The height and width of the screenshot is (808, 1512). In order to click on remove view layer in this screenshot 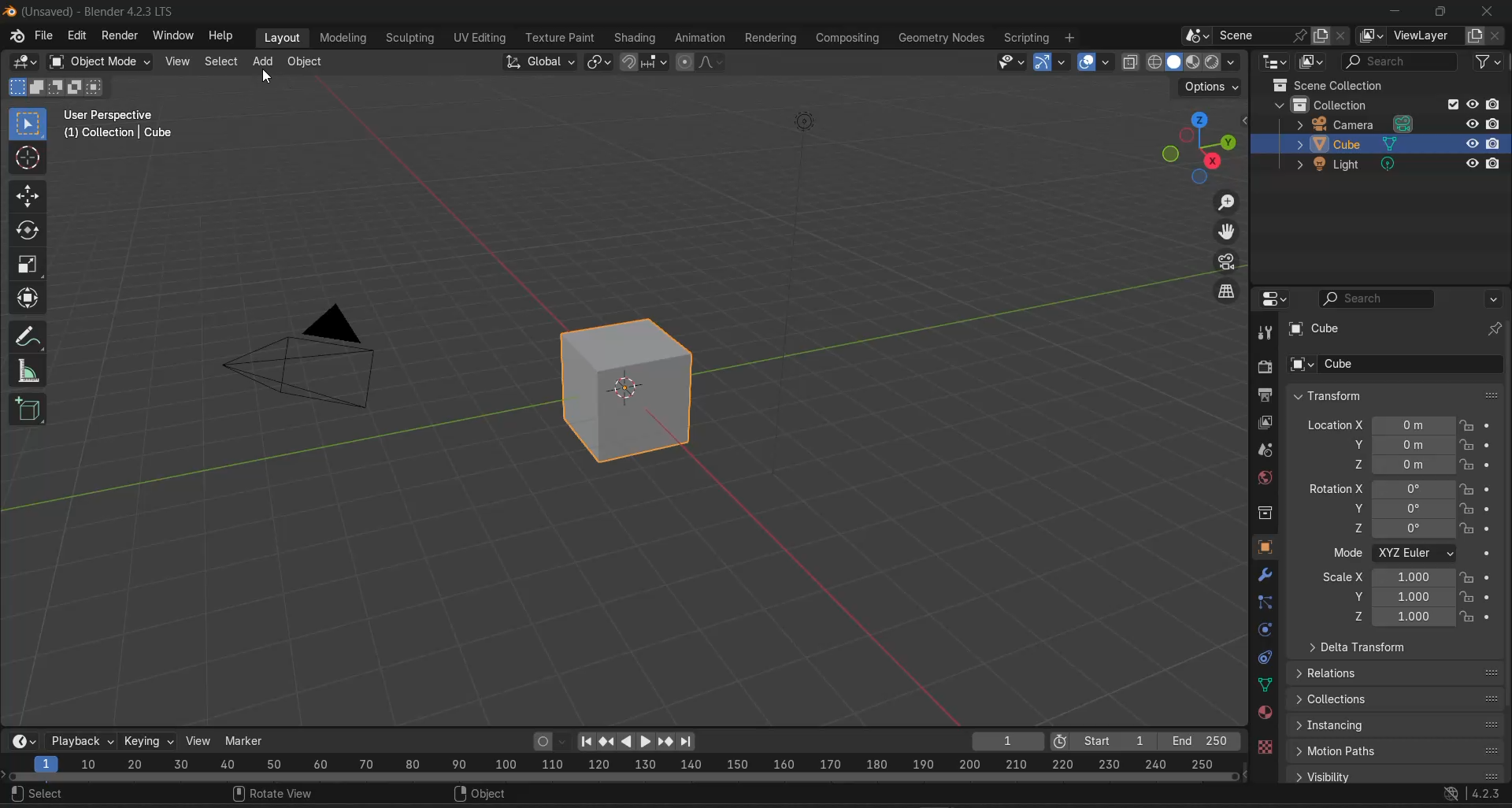, I will do `click(1496, 37)`.